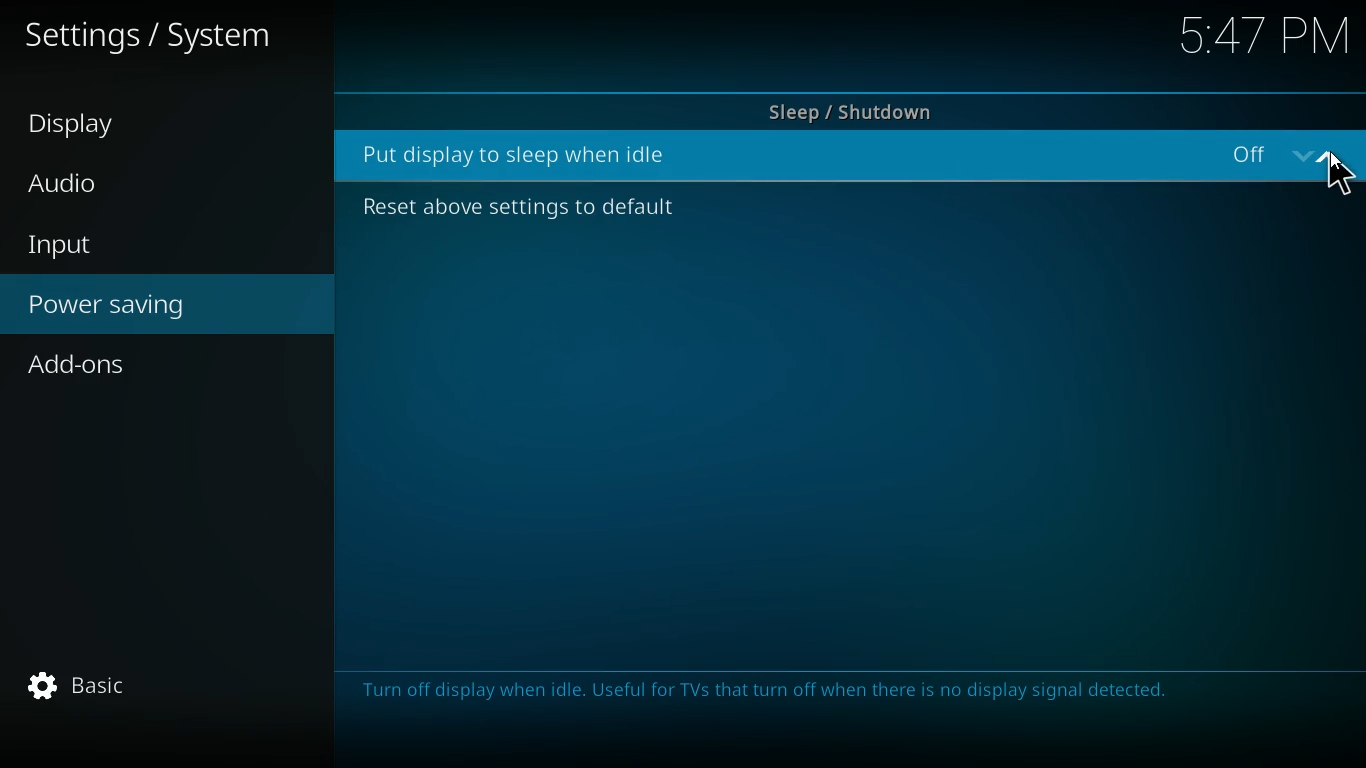 The height and width of the screenshot is (768, 1366). I want to click on audio, so click(114, 184).